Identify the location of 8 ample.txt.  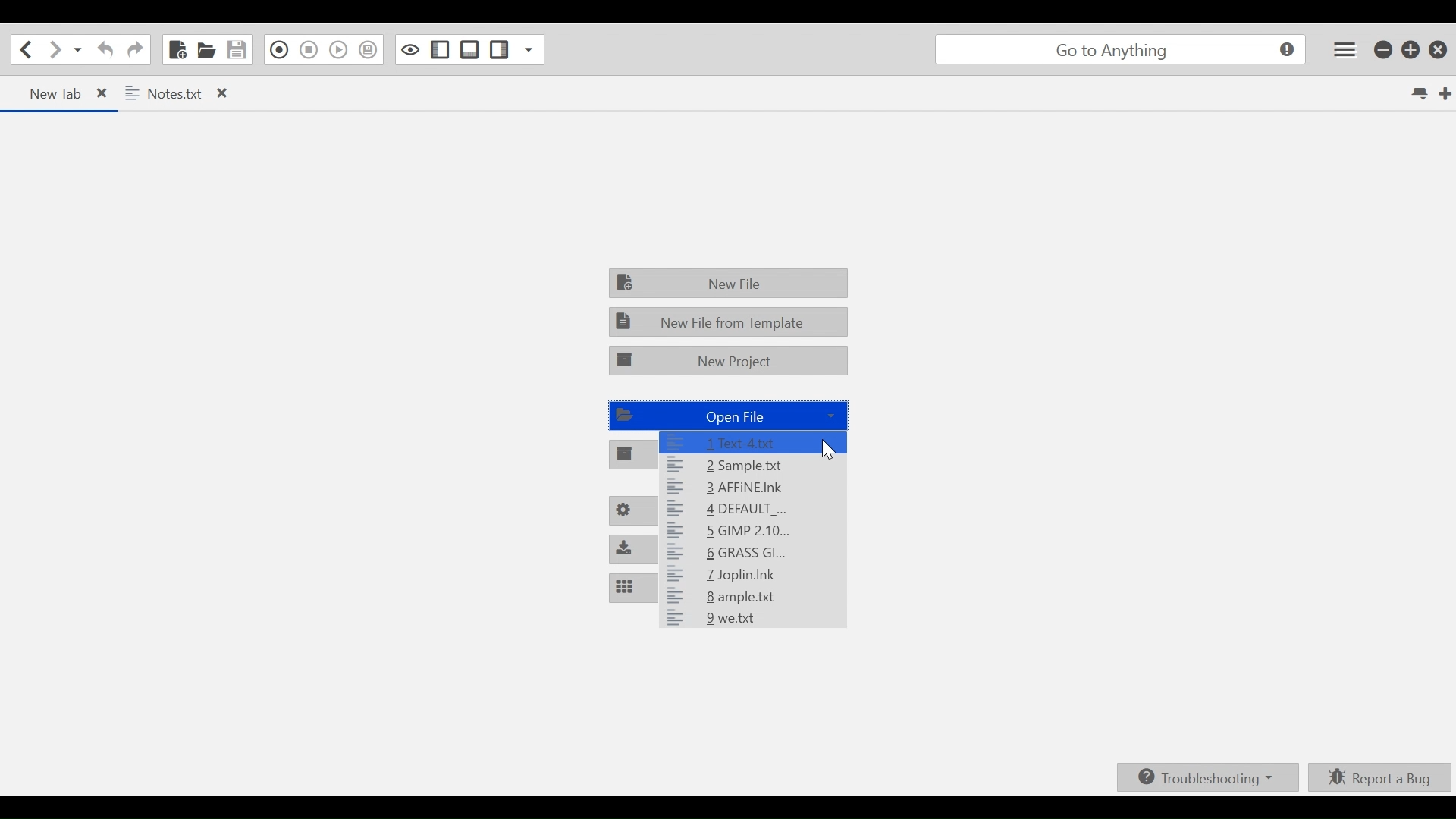
(749, 598).